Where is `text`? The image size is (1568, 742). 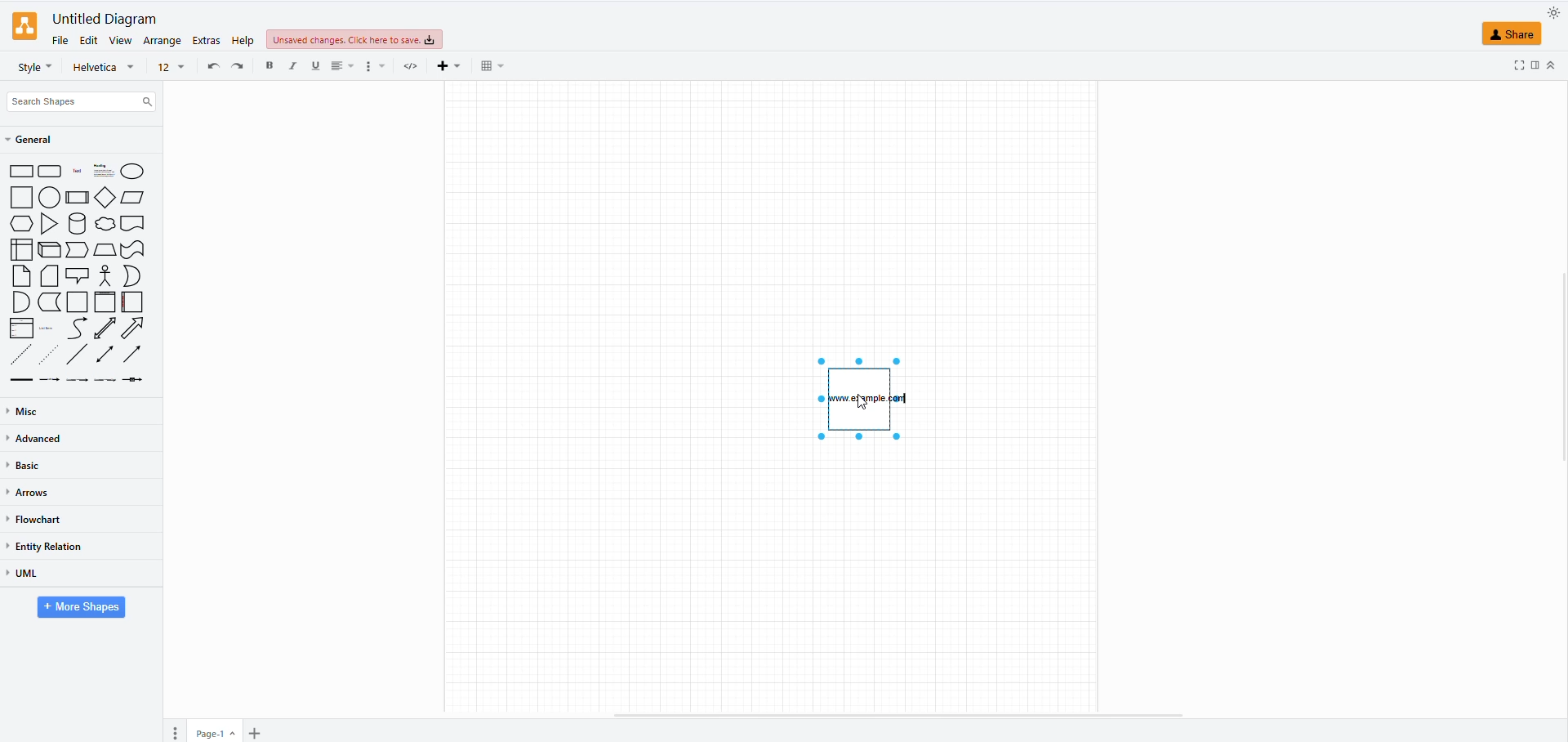
text is located at coordinates (867, 400).